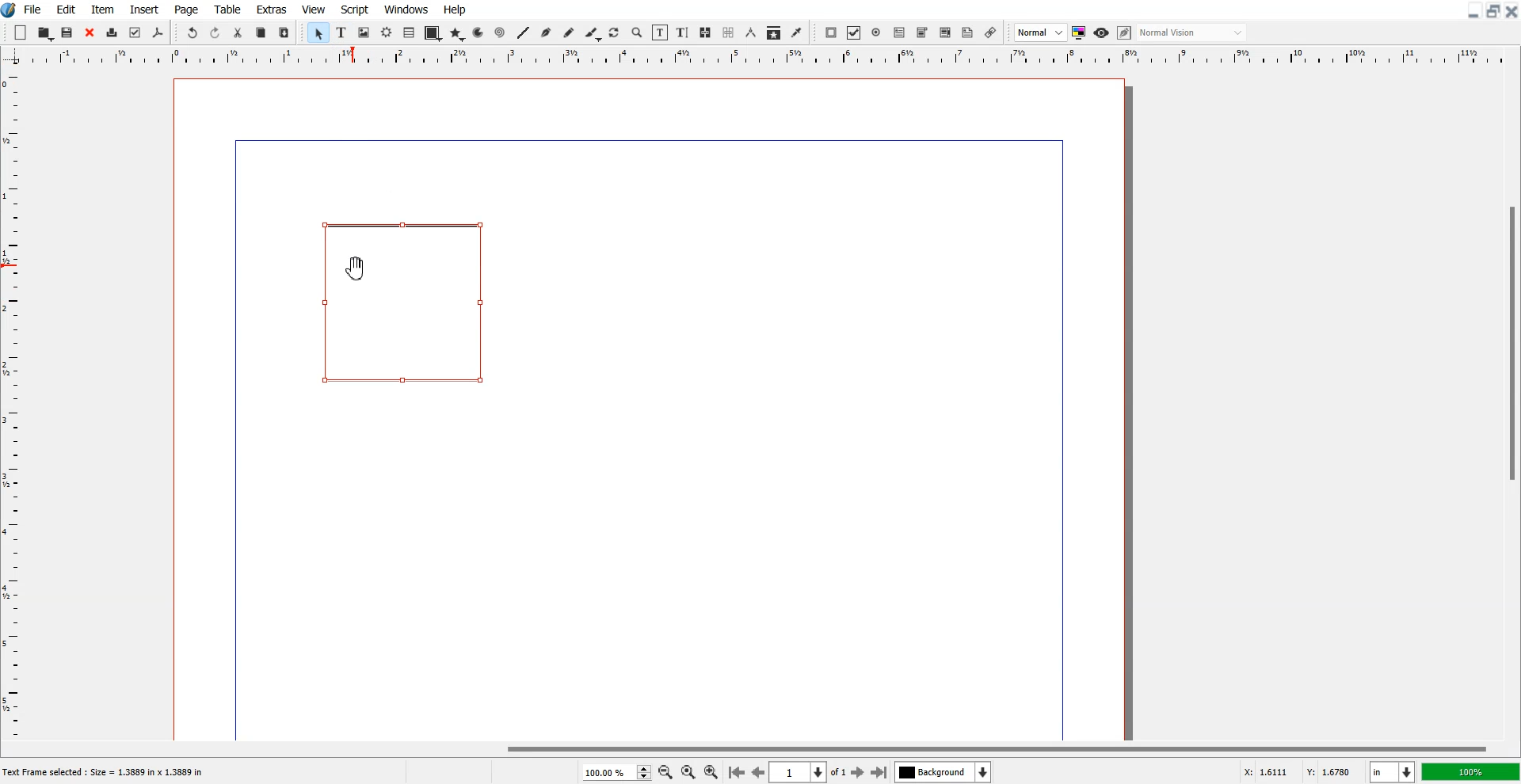 The image size is (1521, 784). What do you see at coordinates (192, 33) in the screenshot?
I see `Undo` at bounding box center [192, 33].